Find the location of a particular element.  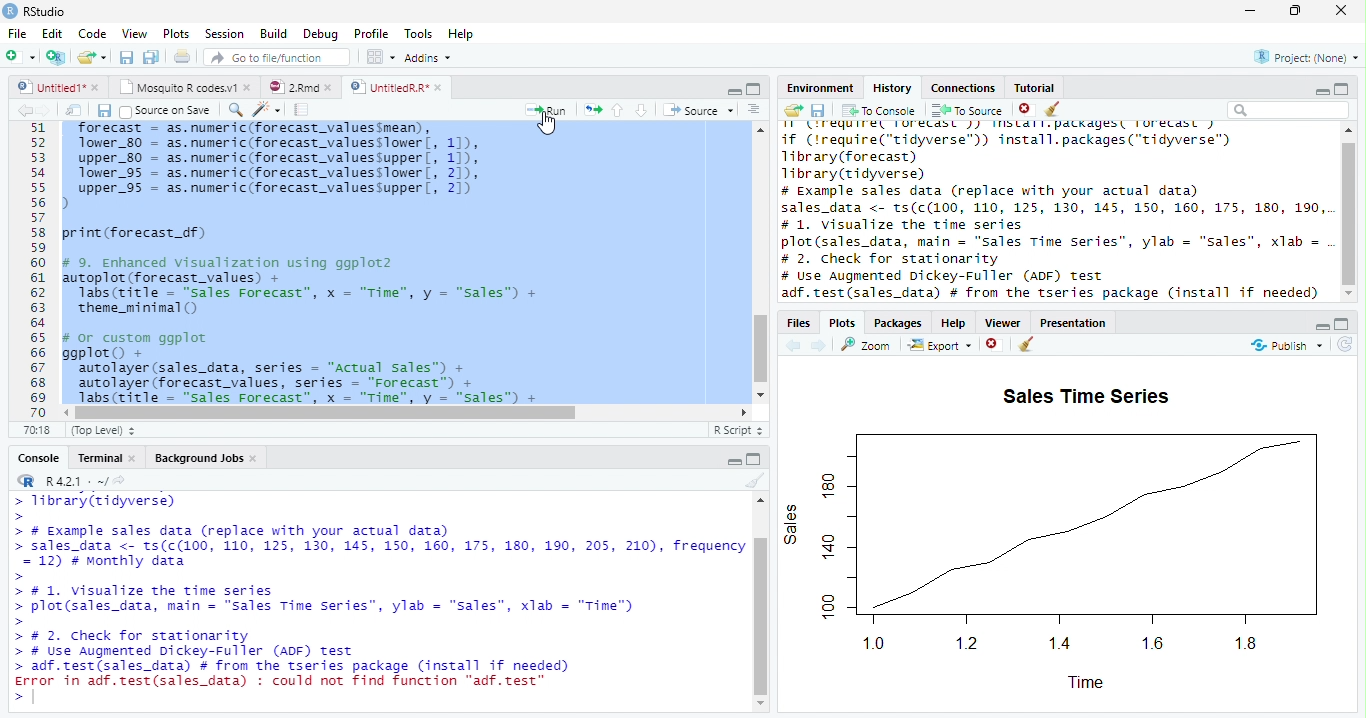

Find/Replace is located at coordinates (233, 110).